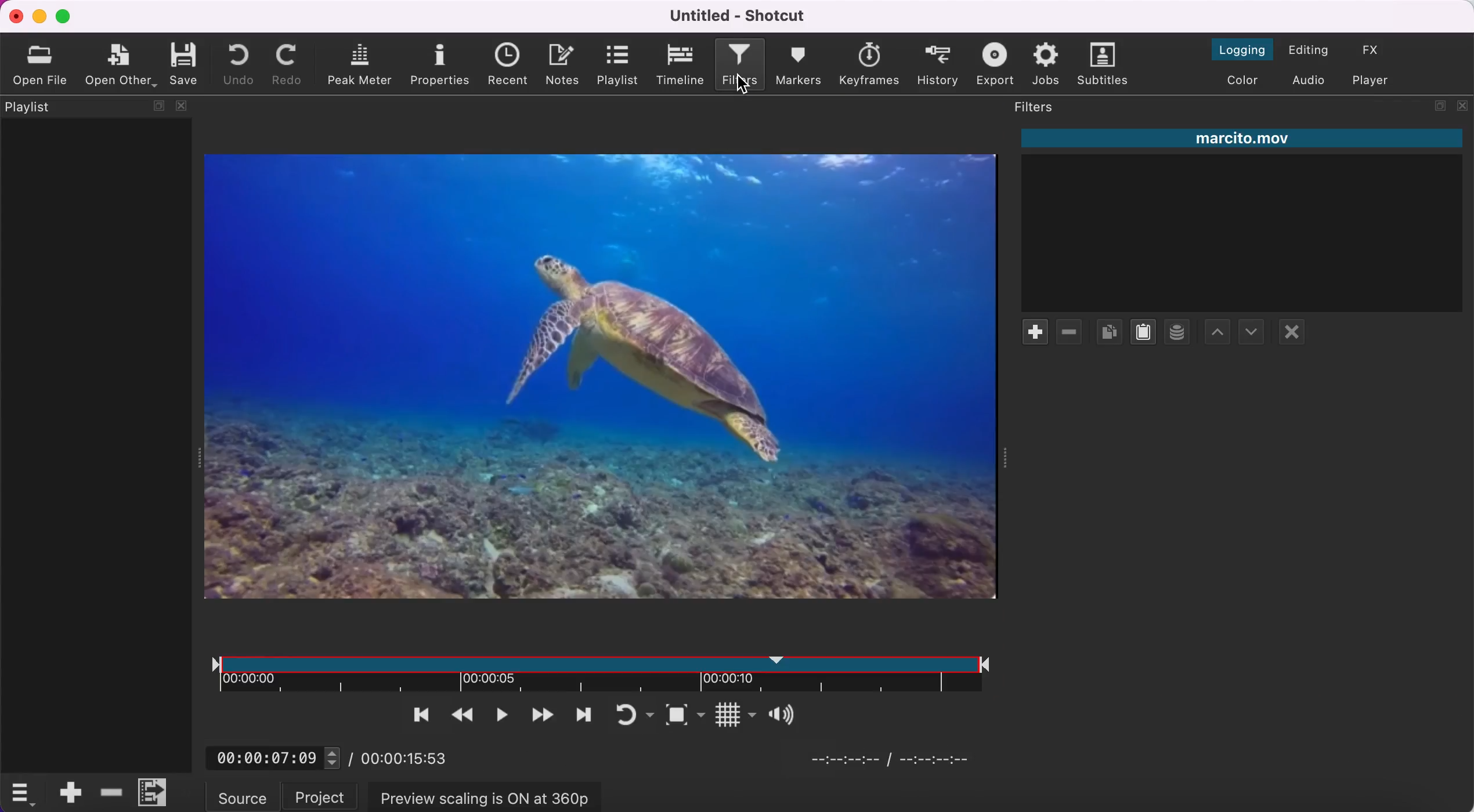 This screenshot has height=812, width=1474. Describe the element at coordinates (1312, 50) in the screenshot. I see `switch to the editing layout` at that location.